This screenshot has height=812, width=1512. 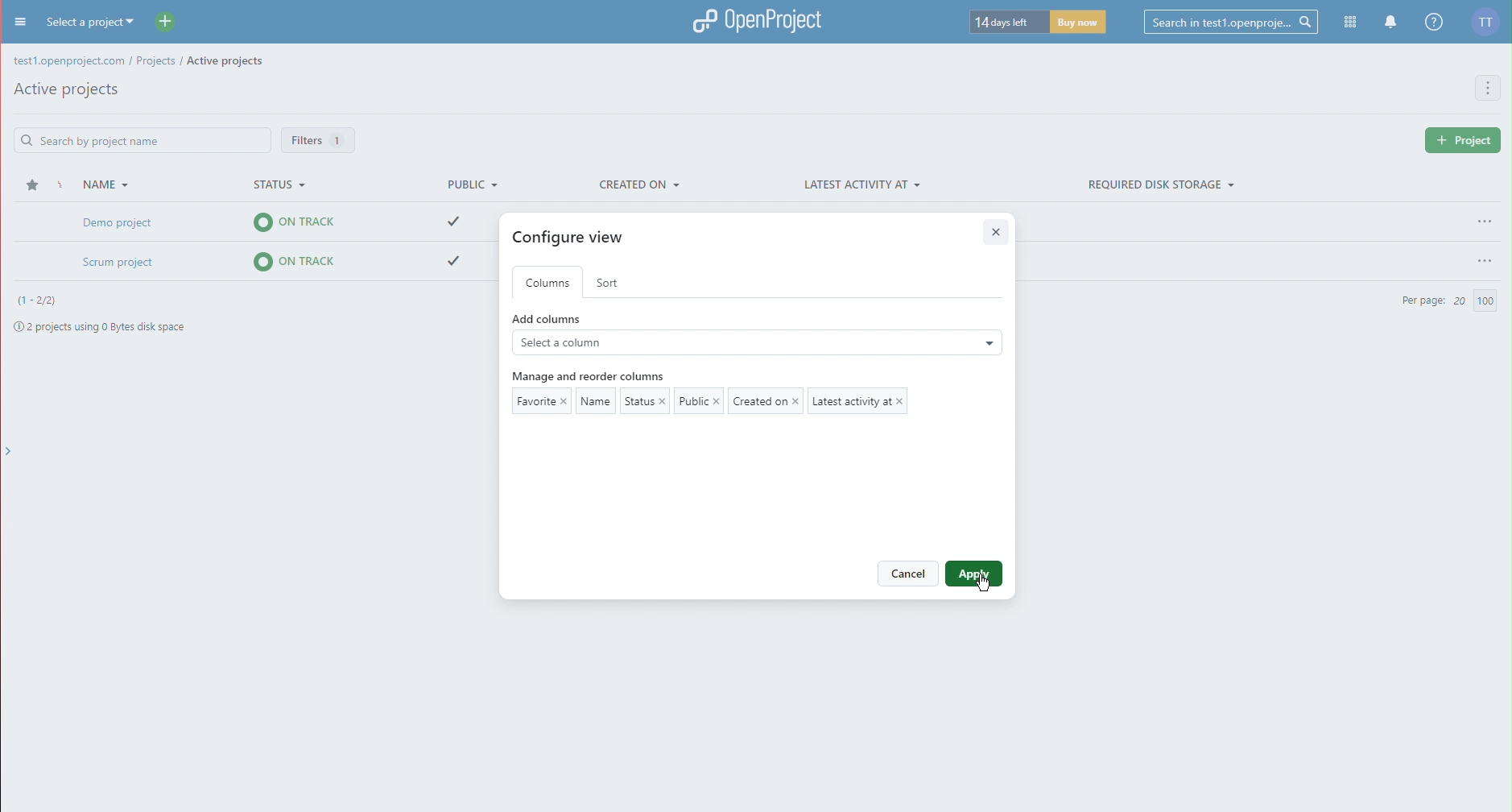 I want to click on Cursor, so click(x=983, y=582).